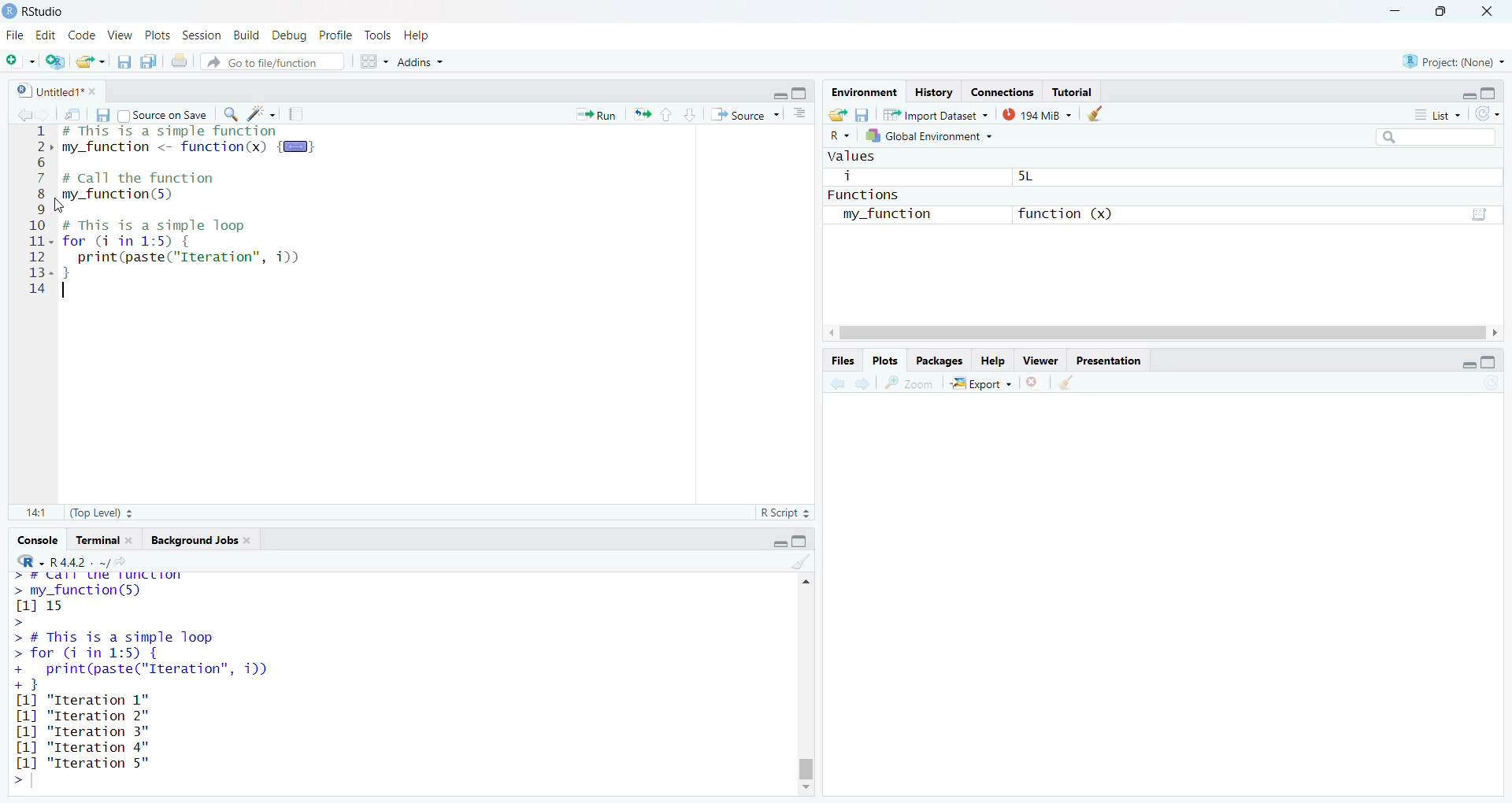  What do you see at coordinates (803, 583) in the screenshot?
I see `move up` at bounding box center [803, 583].